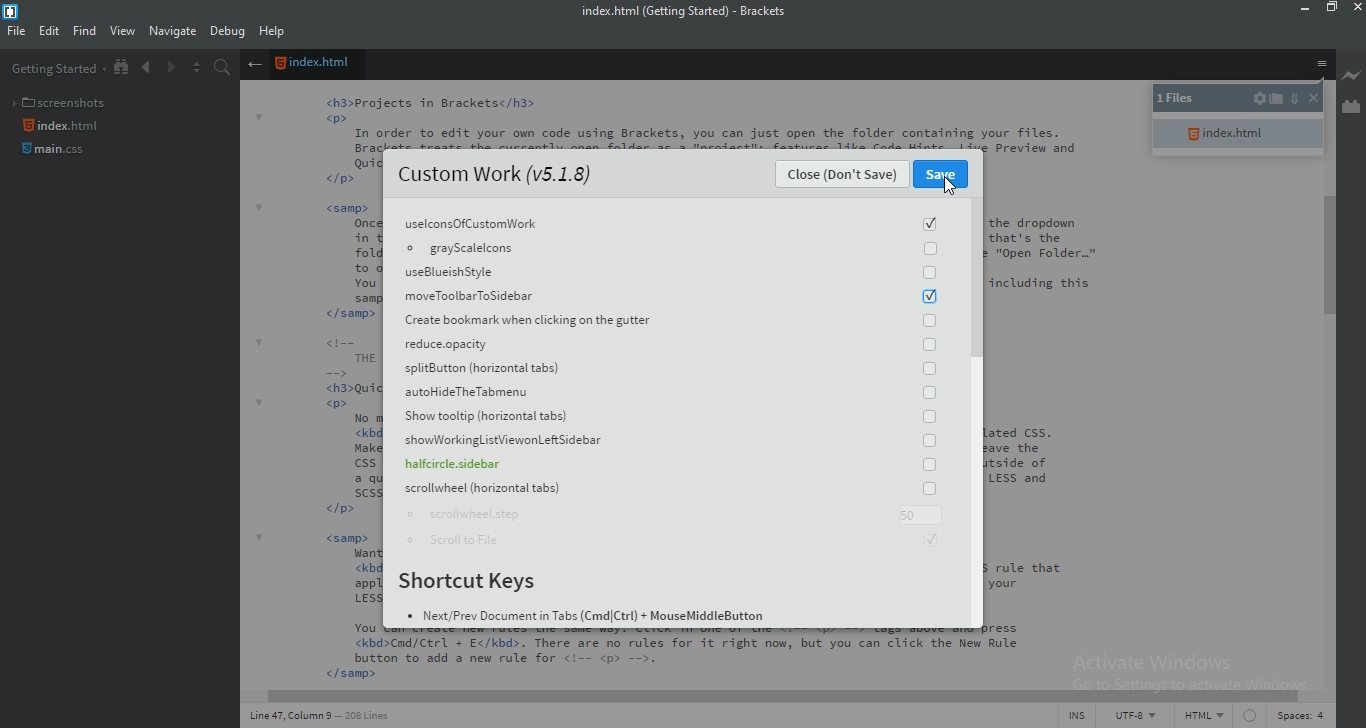 The image size is (1366, 728). Describe the element at coordinates (1203, 718) in the screenshot. I see `HTML` at that location.